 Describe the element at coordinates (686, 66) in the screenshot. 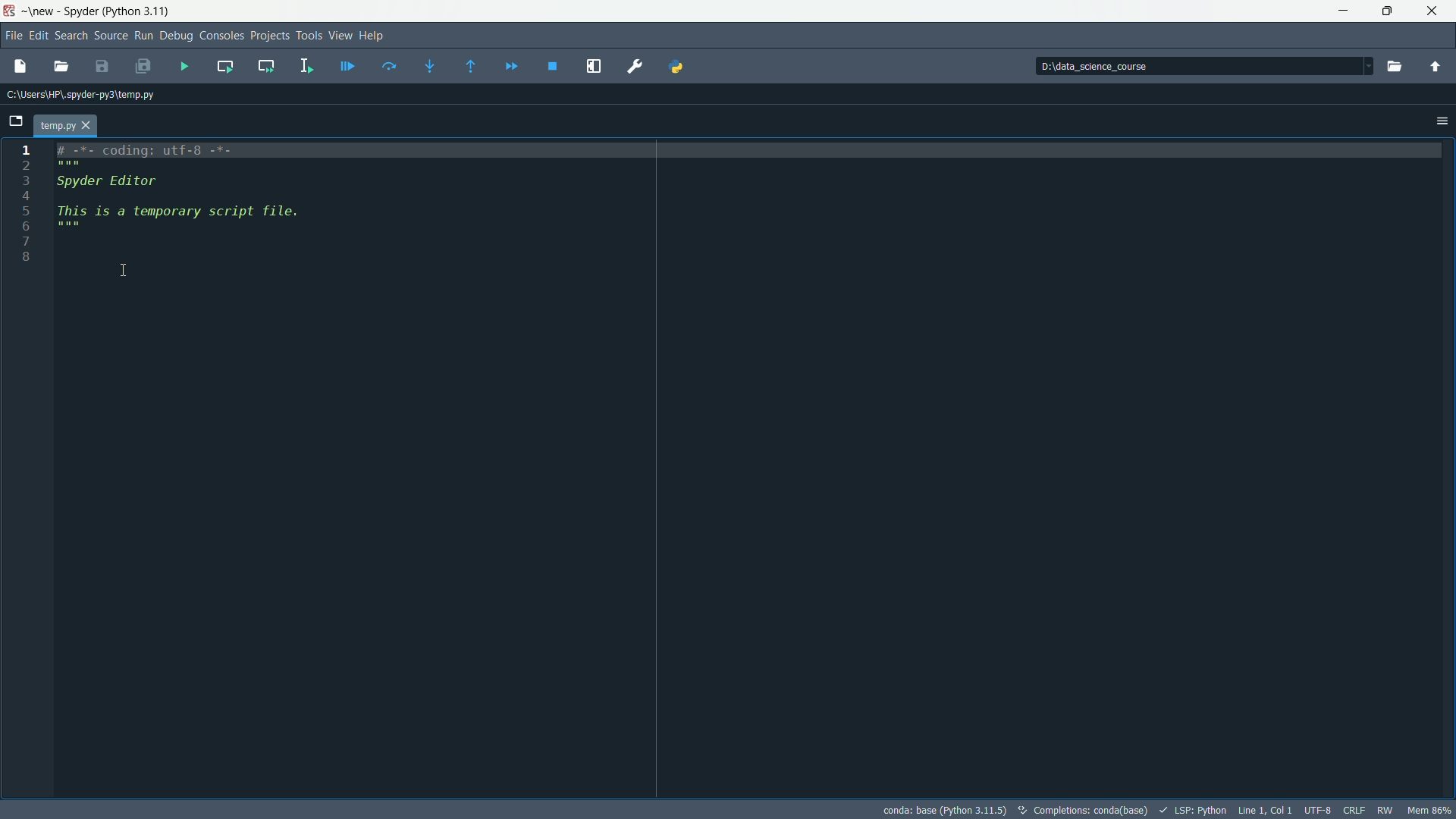

I see `PYTHONPATH manager` at that location.